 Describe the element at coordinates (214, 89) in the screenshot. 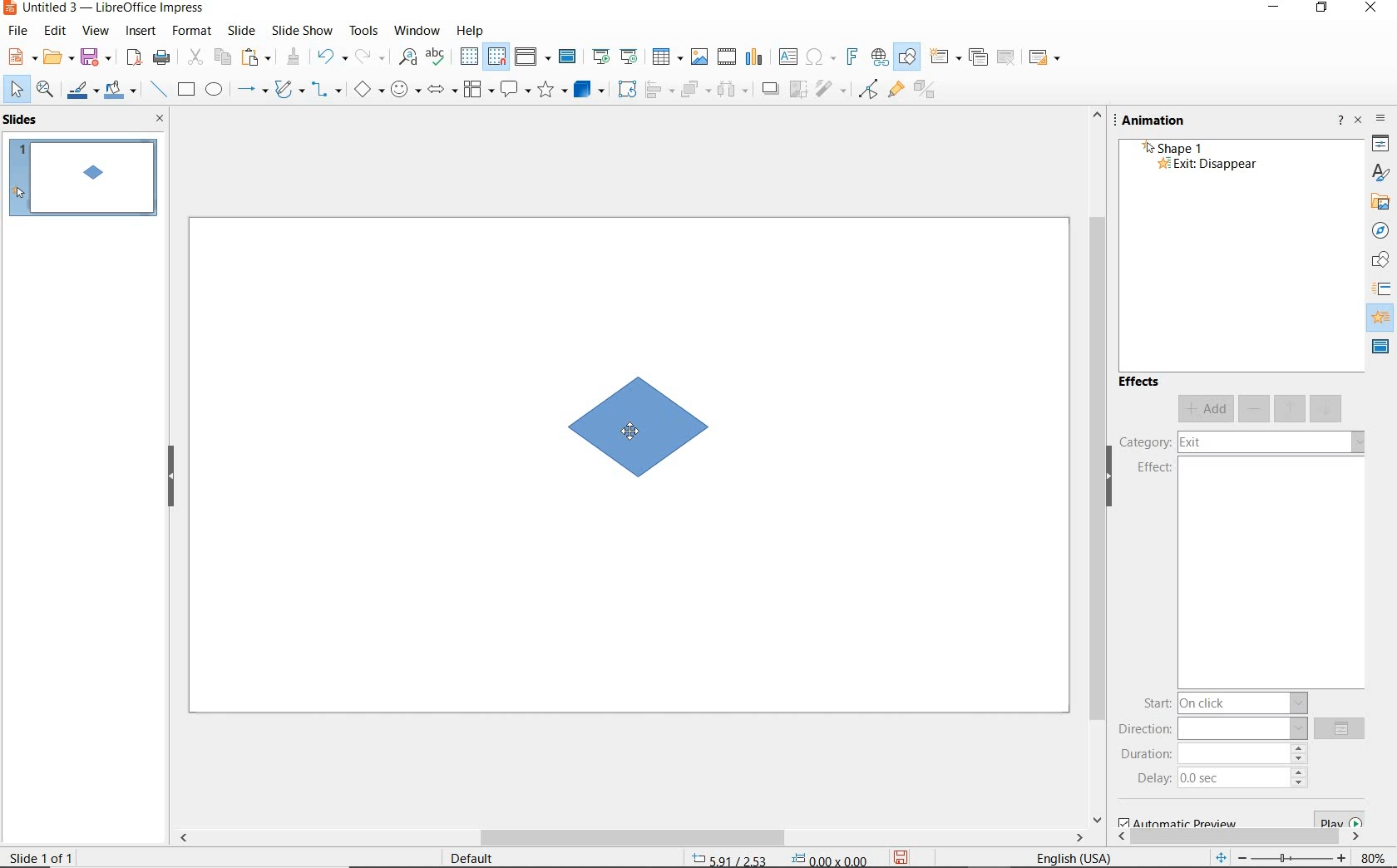

I see `ellipse` at that location.